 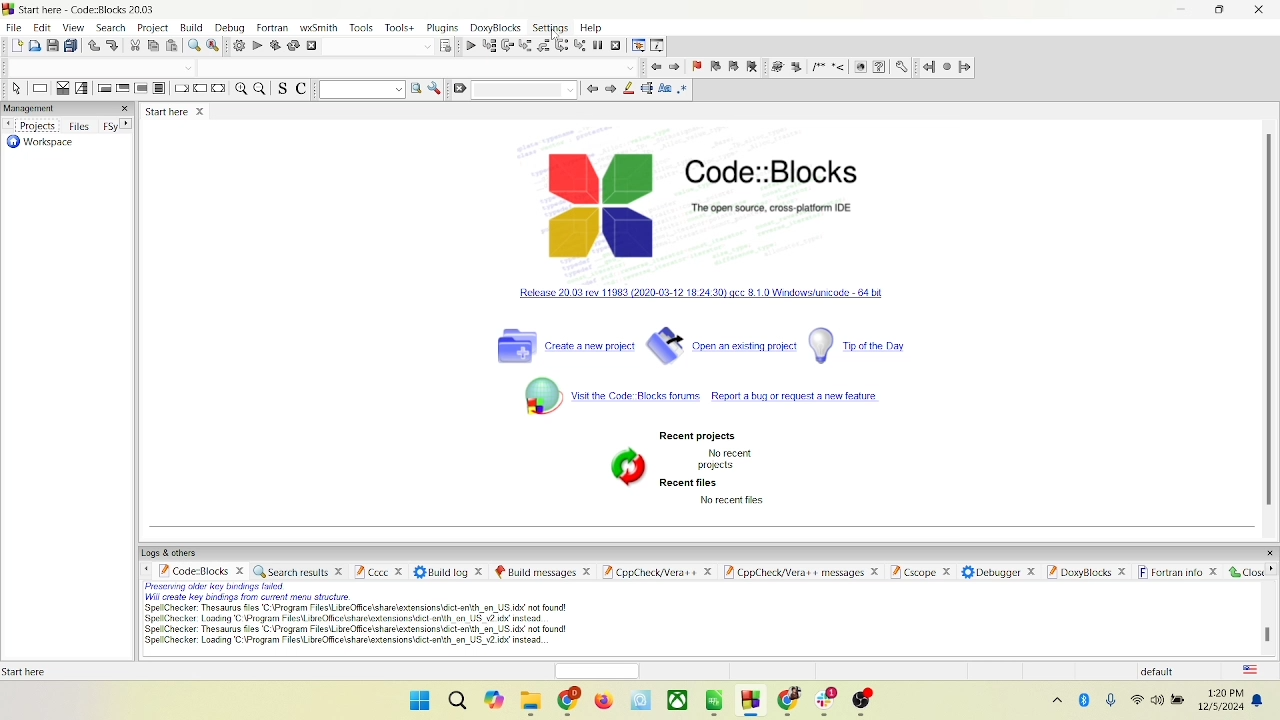 What do you see at coordinates (1086, 703) in the screenshot?
I see `bluetooth` at bounding box center [1086, 703].